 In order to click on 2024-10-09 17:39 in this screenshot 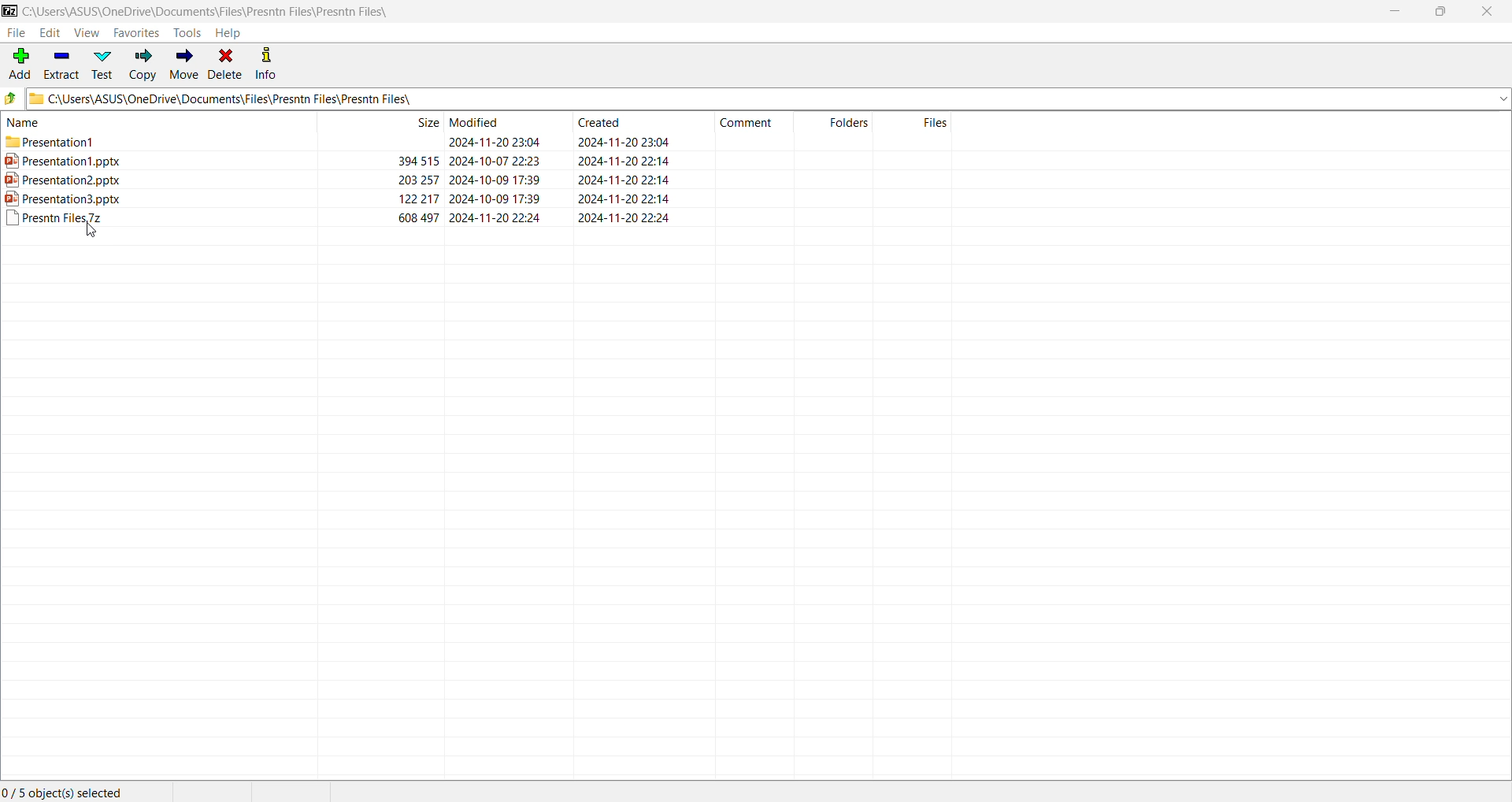, I will do `click(498, 177)`.